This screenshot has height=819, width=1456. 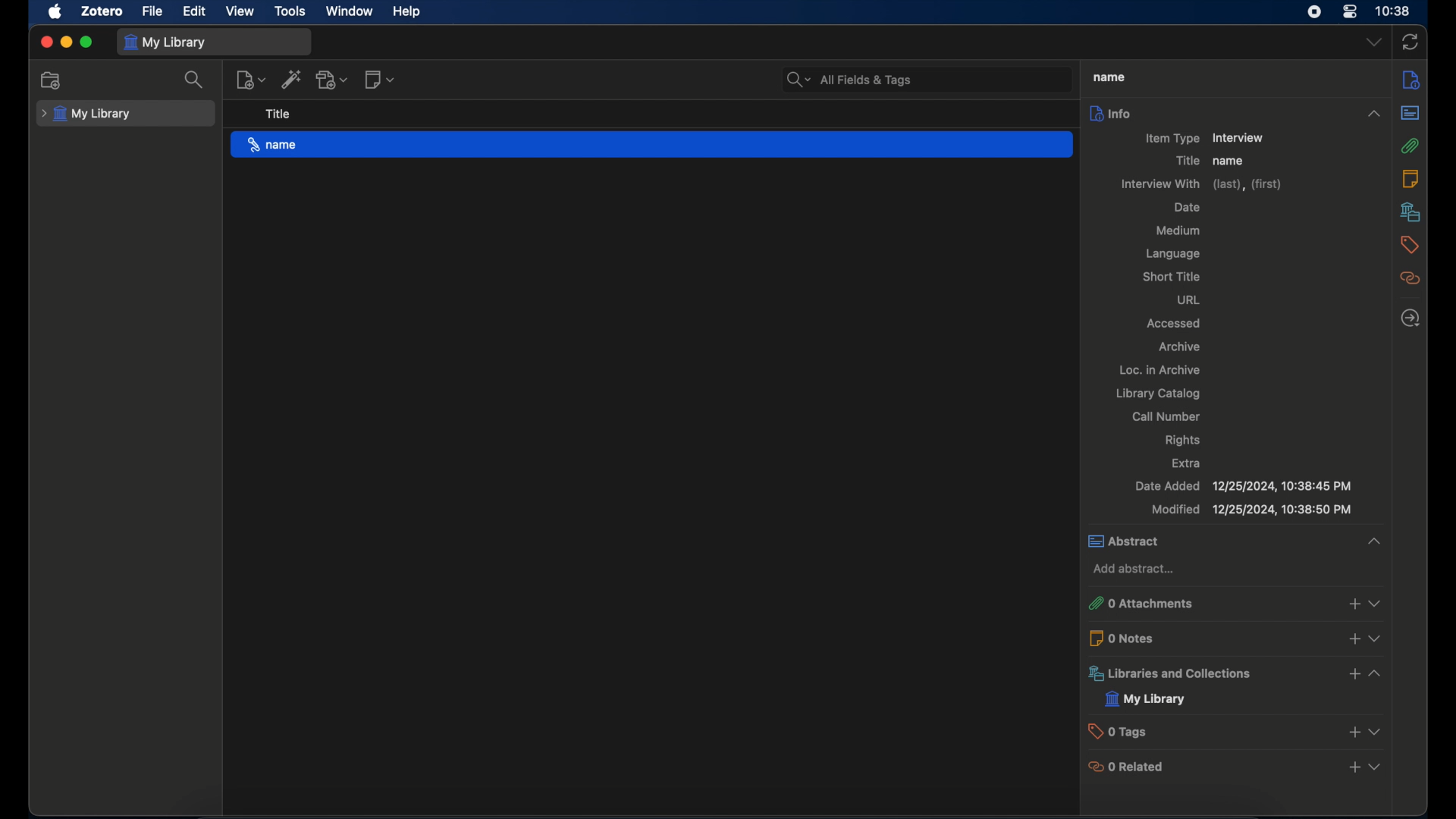 I want to click on short title, so click(x=1174, y=276).